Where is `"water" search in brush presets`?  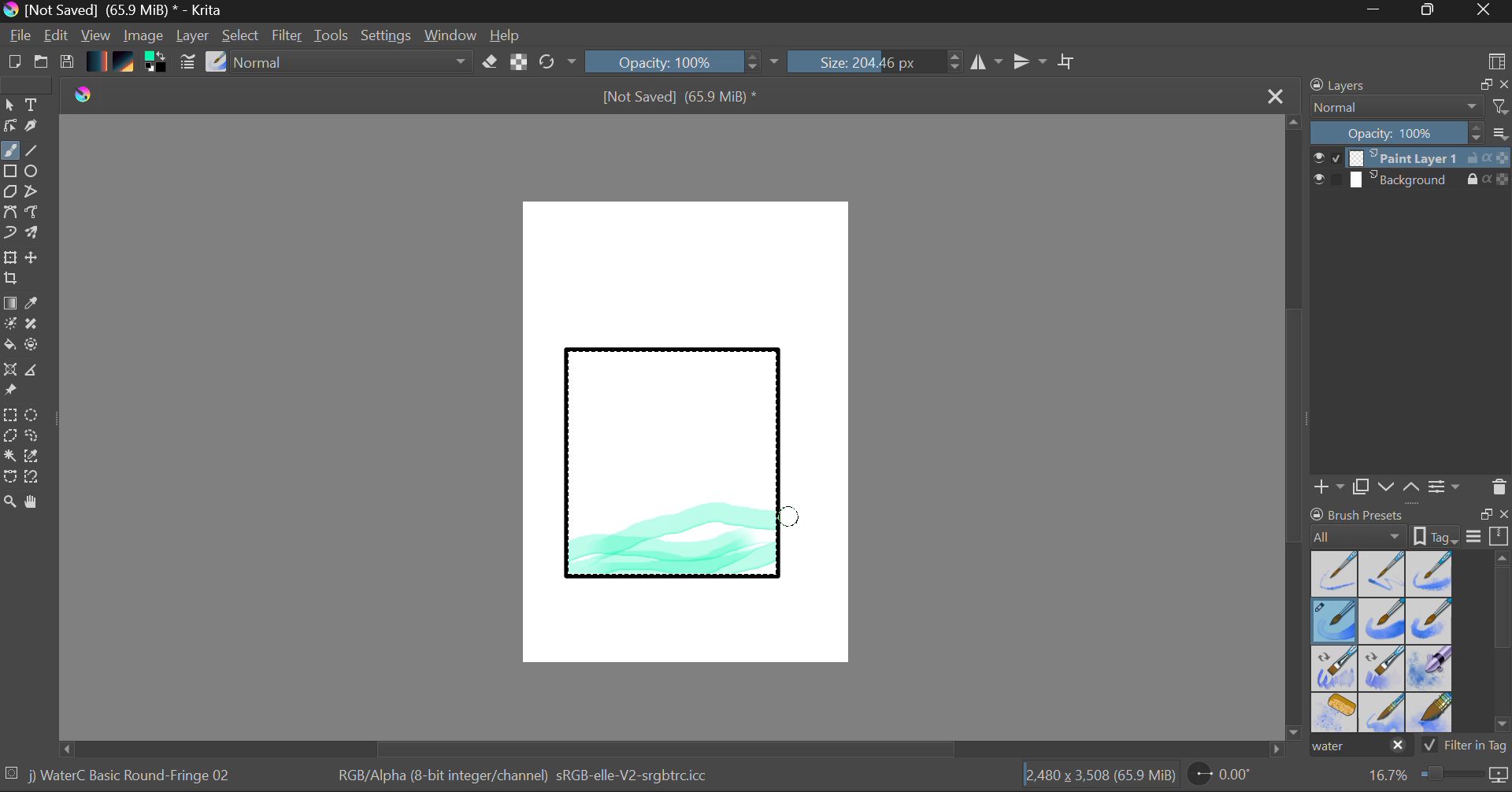
"water" search in brush presets is located at coordinates (1359, 749).